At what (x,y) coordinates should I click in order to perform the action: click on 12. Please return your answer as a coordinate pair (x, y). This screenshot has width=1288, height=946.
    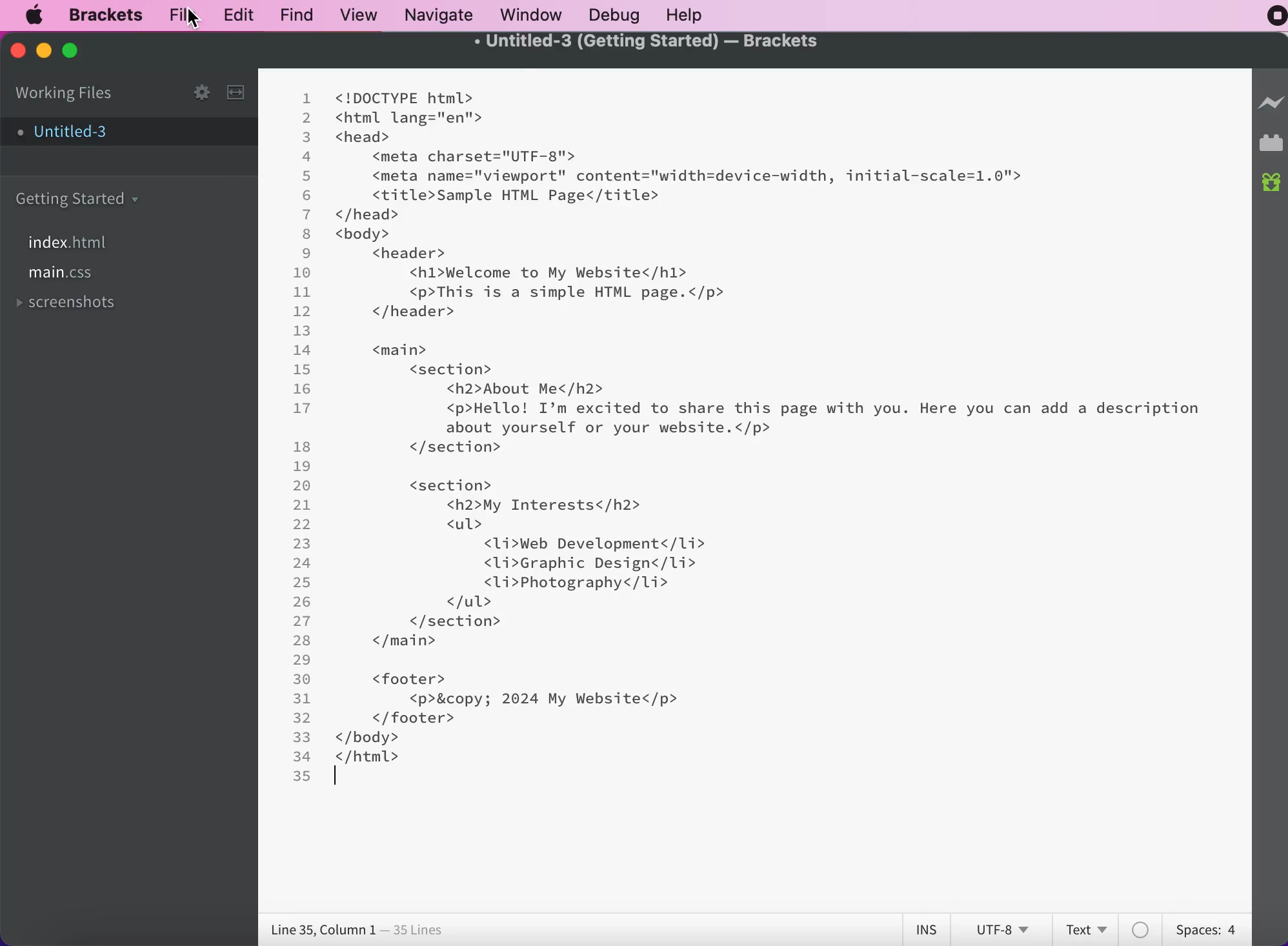
    Looking at the image, I should click on (303, 312).